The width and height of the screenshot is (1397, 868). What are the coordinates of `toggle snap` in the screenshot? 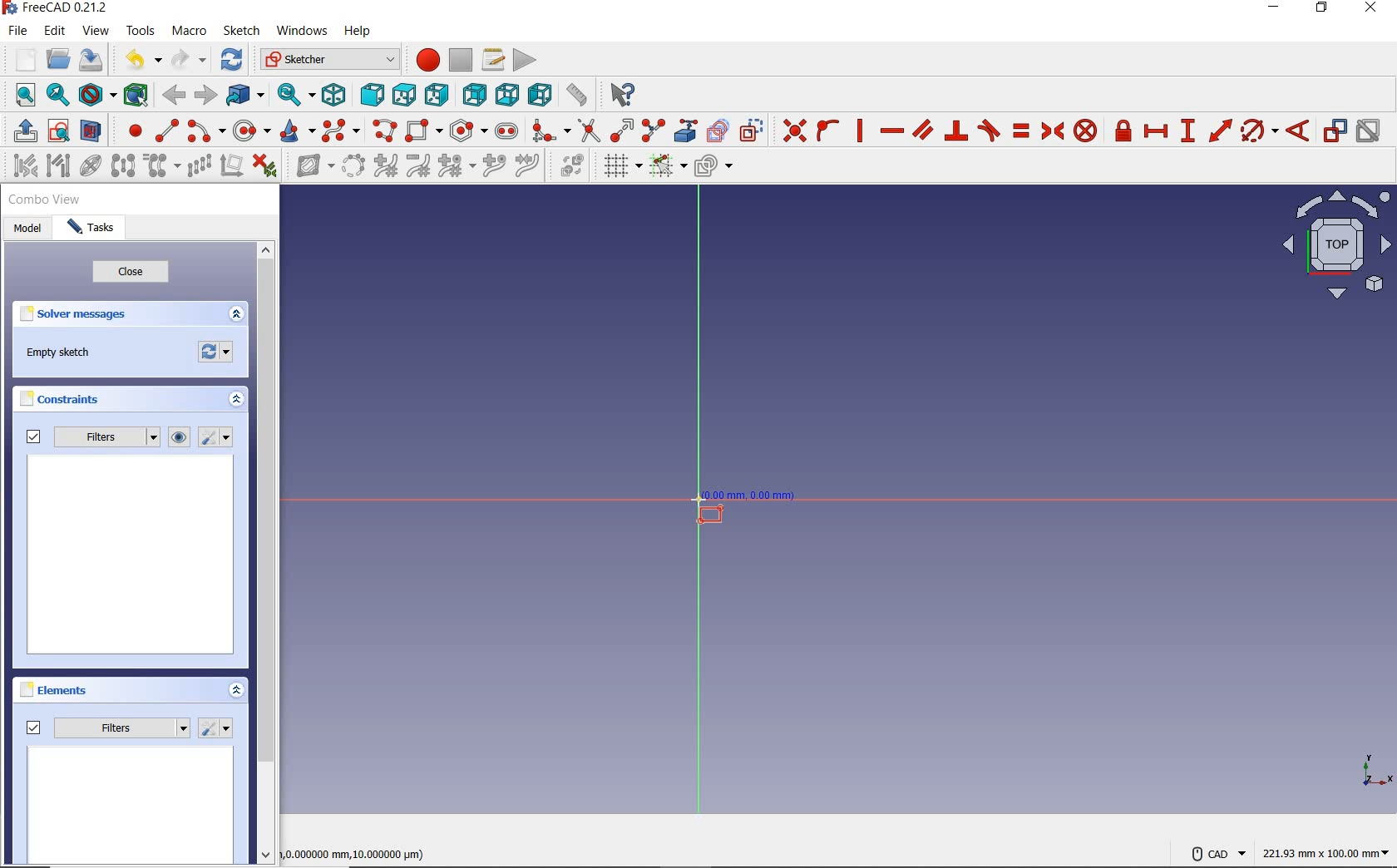 It's located at (667, 167).